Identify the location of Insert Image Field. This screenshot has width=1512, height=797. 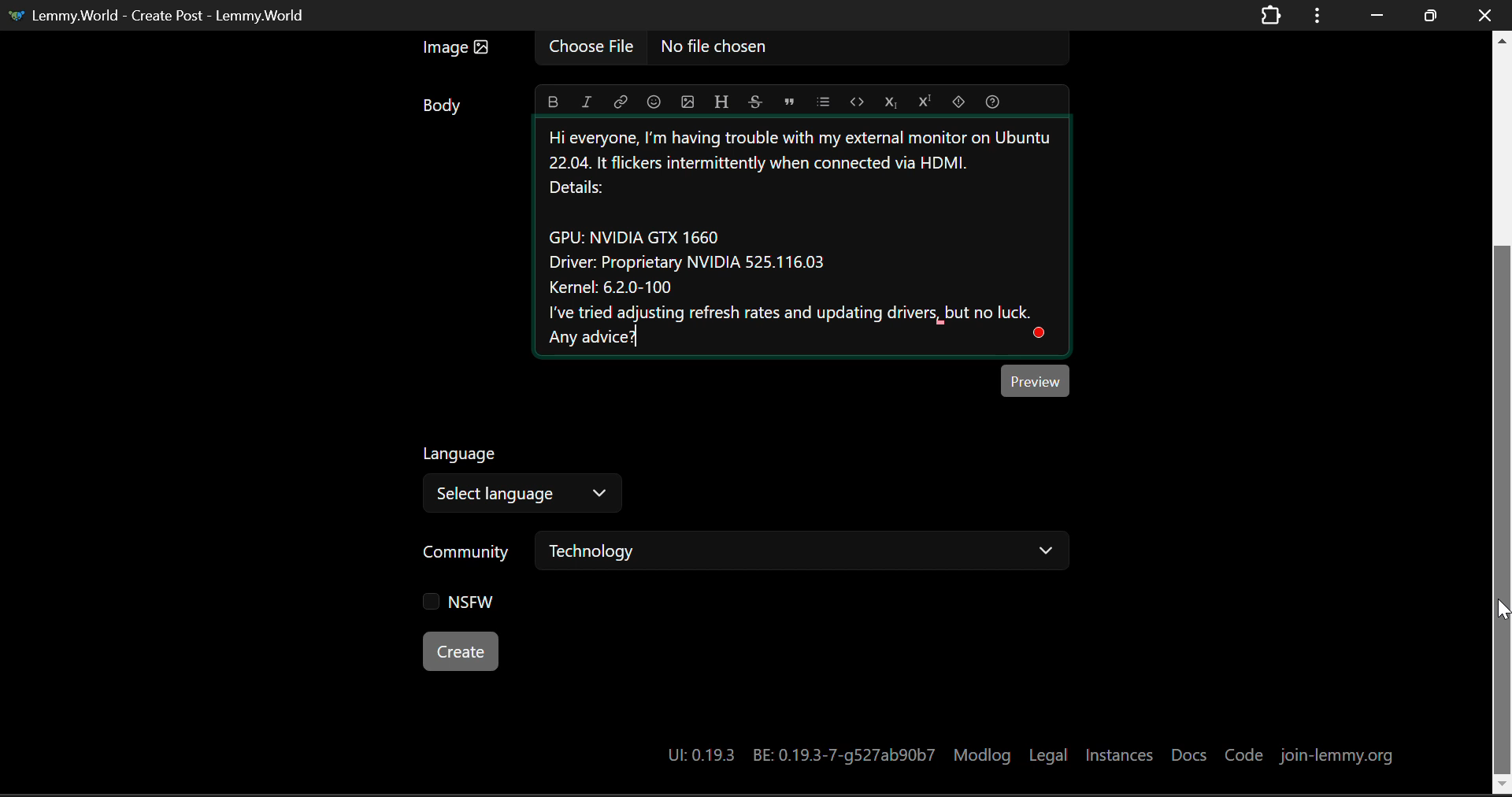
(740, 50).